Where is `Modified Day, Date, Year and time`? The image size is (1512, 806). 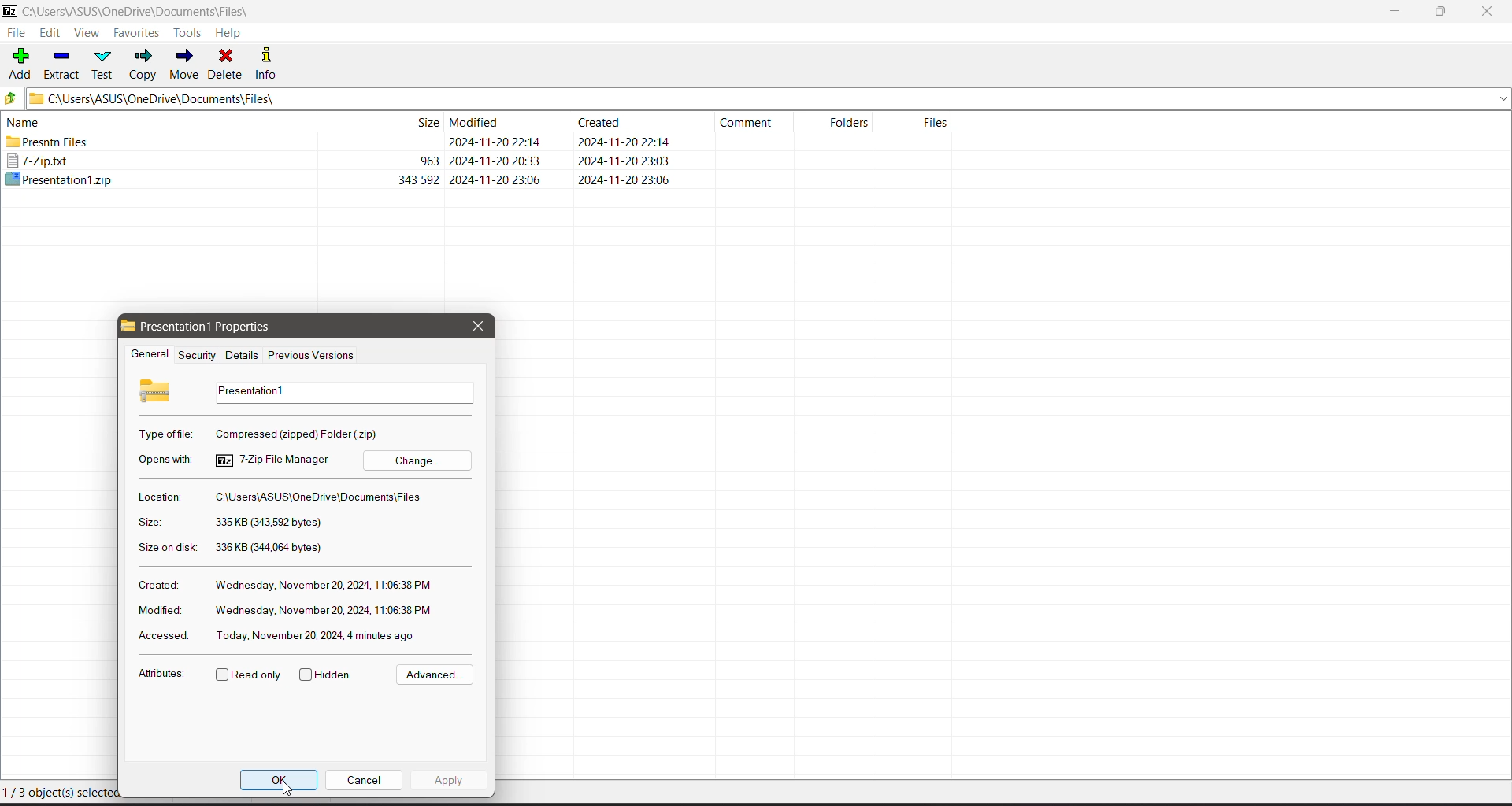
Modified Day, Date, Year and time is located at coordinates (324, 611).